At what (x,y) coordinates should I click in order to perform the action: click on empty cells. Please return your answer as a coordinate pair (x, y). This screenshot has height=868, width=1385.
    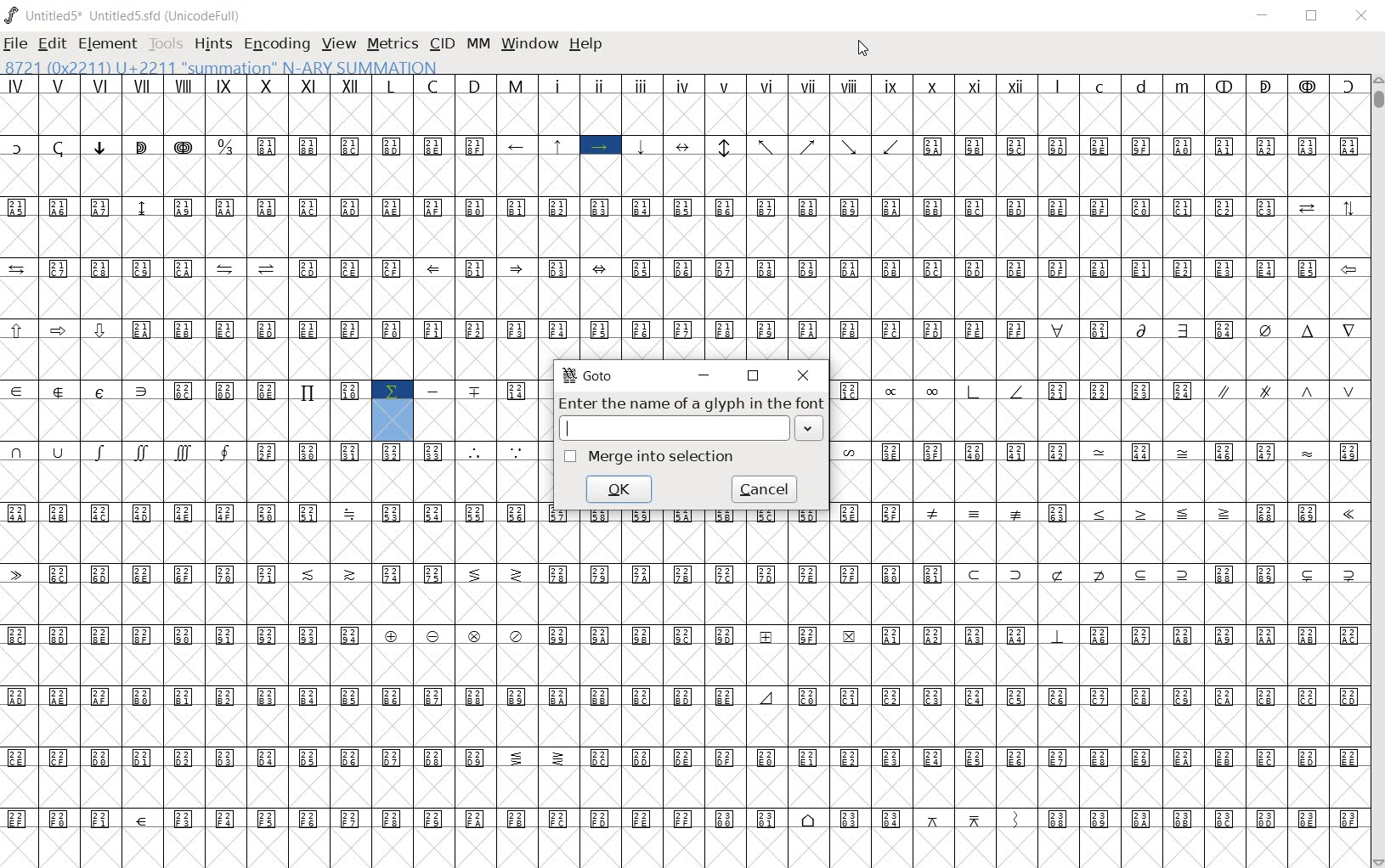
    Looking at the image, I should click on (685, 237).